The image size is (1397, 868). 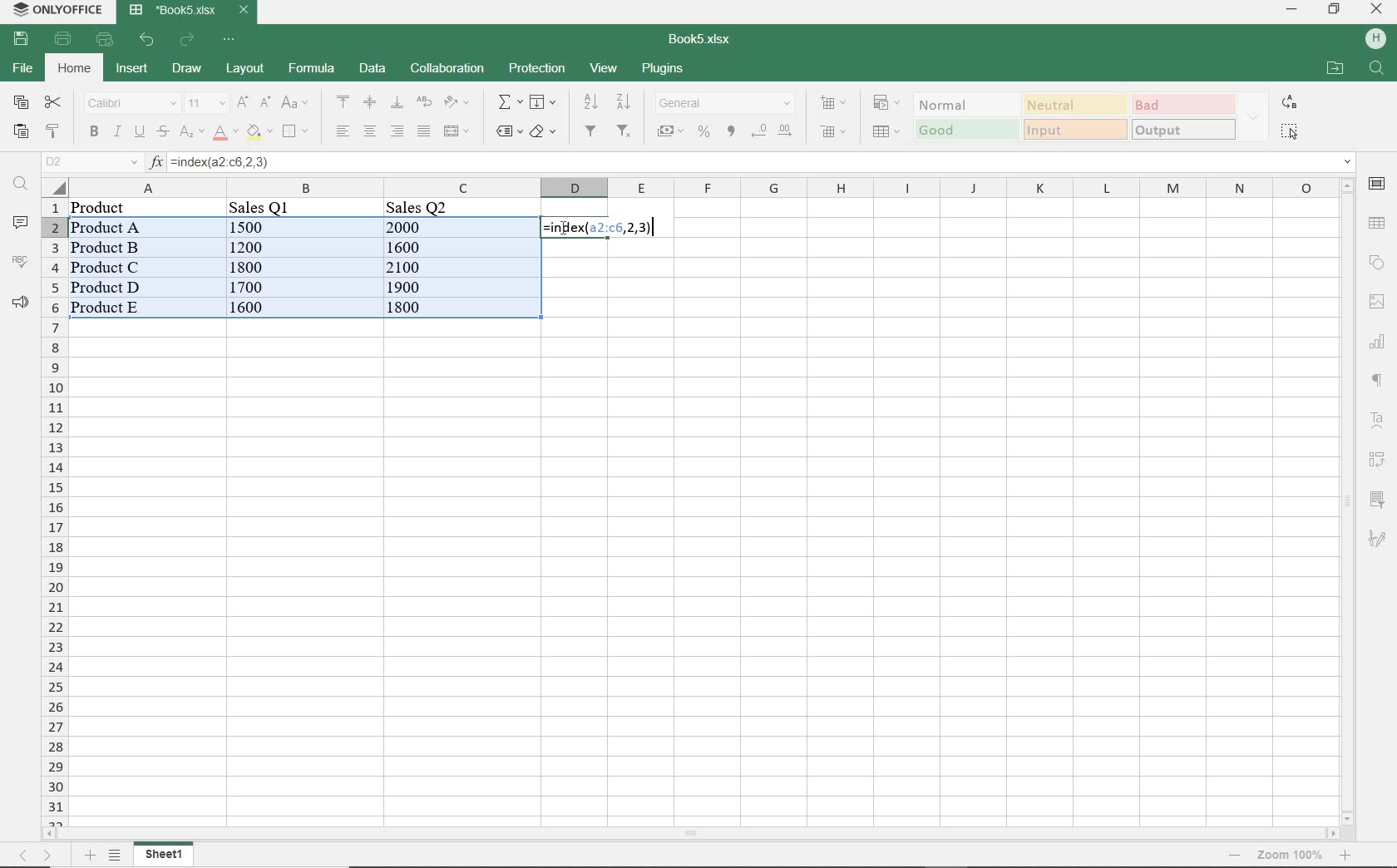 I want to click on change decimal, so click(x=772, y=133).